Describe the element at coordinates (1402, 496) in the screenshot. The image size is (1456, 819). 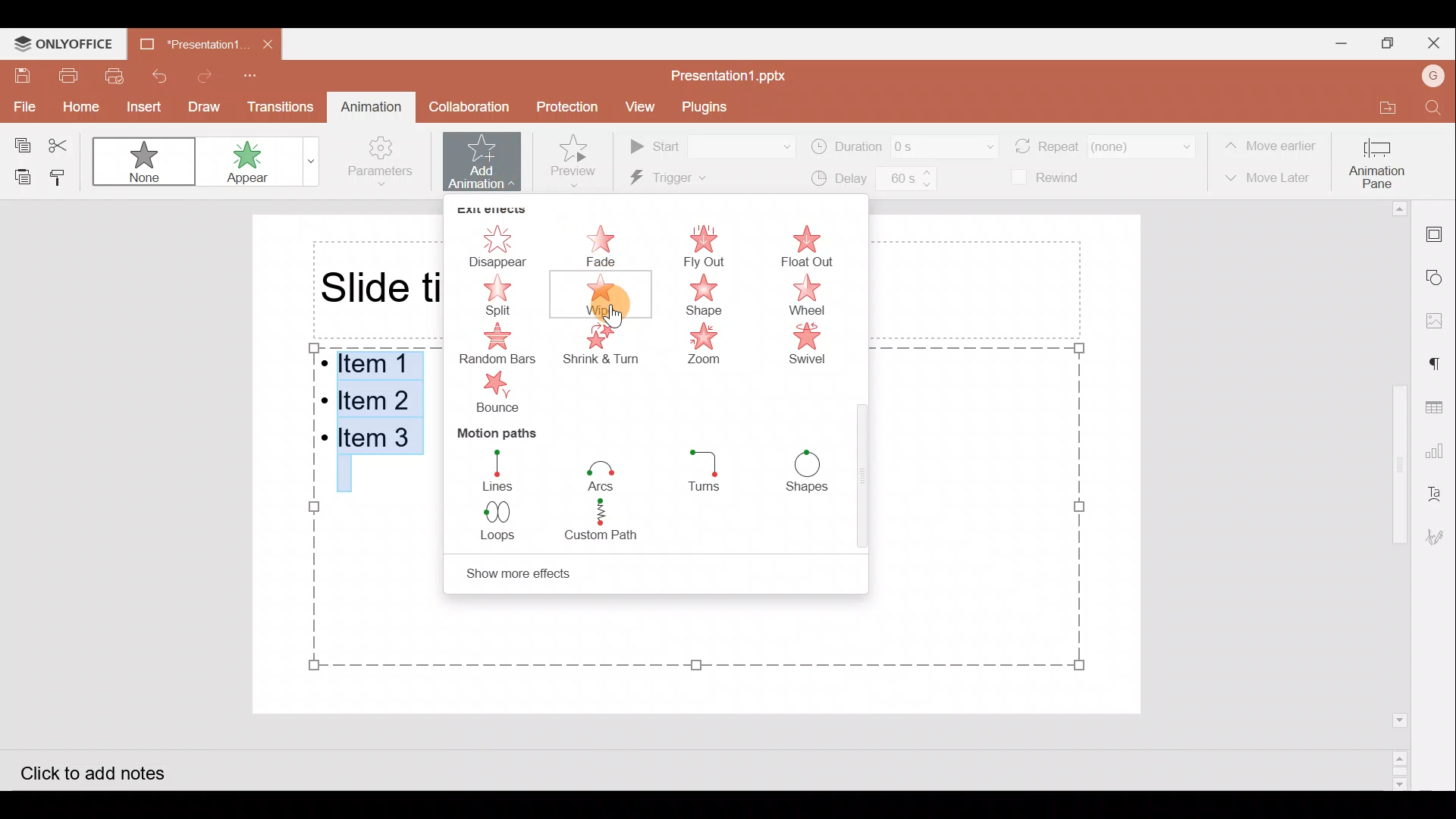
I see `Scroll bar` at that location.